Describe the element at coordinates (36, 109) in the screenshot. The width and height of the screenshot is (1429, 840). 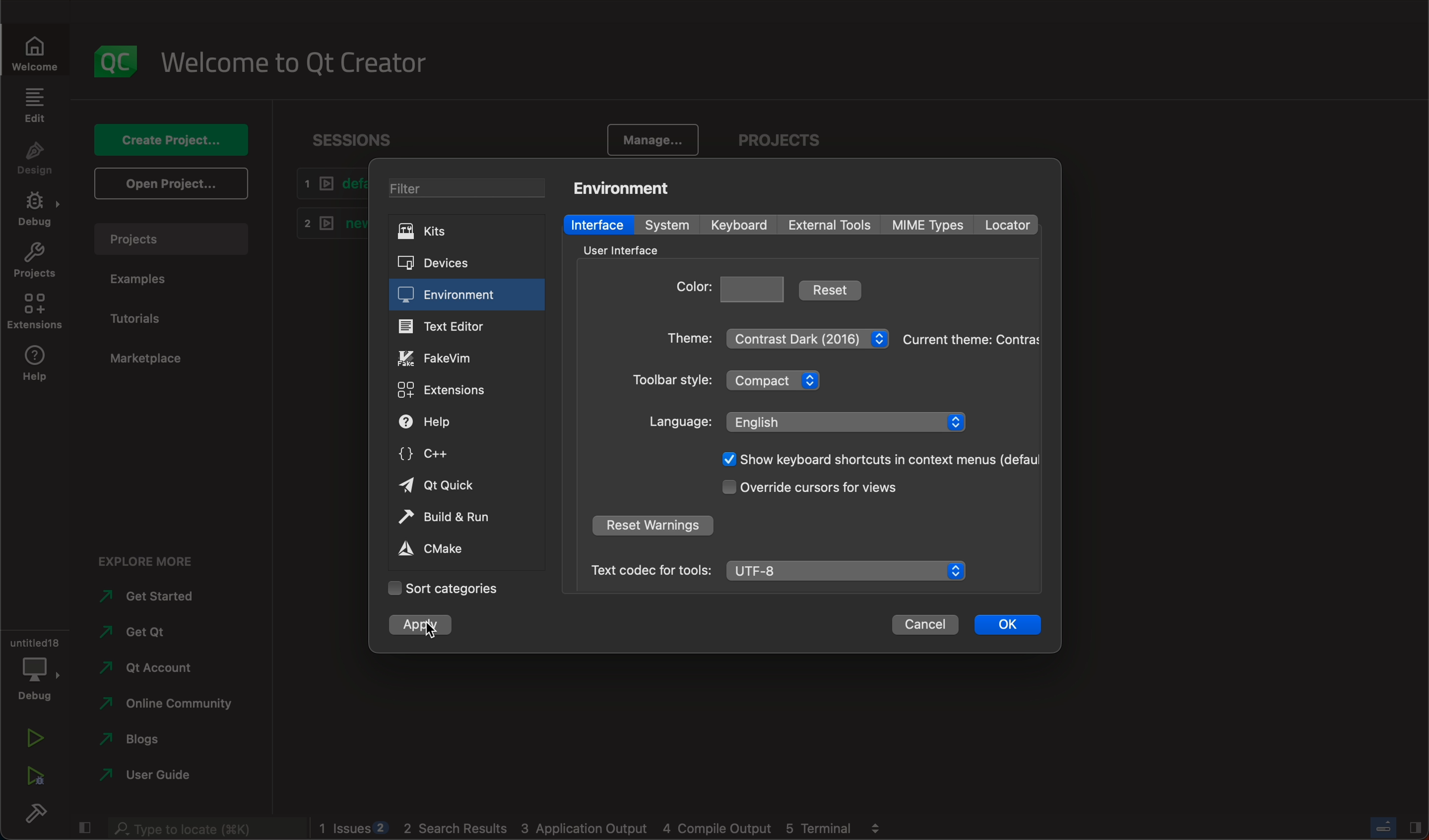
I see `edit` at that location.